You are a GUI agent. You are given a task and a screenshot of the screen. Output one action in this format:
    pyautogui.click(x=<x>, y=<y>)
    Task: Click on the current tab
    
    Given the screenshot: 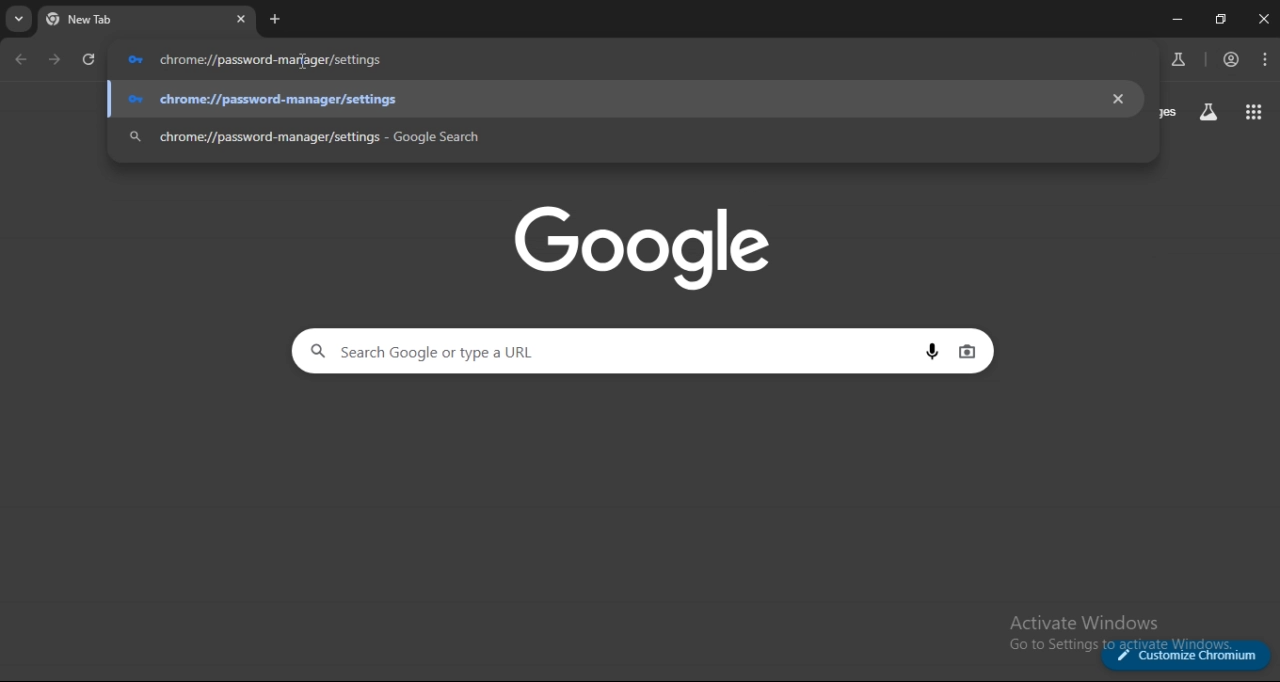 What is the action you would take?
    pyautogui.click(x=113, y=19)
    